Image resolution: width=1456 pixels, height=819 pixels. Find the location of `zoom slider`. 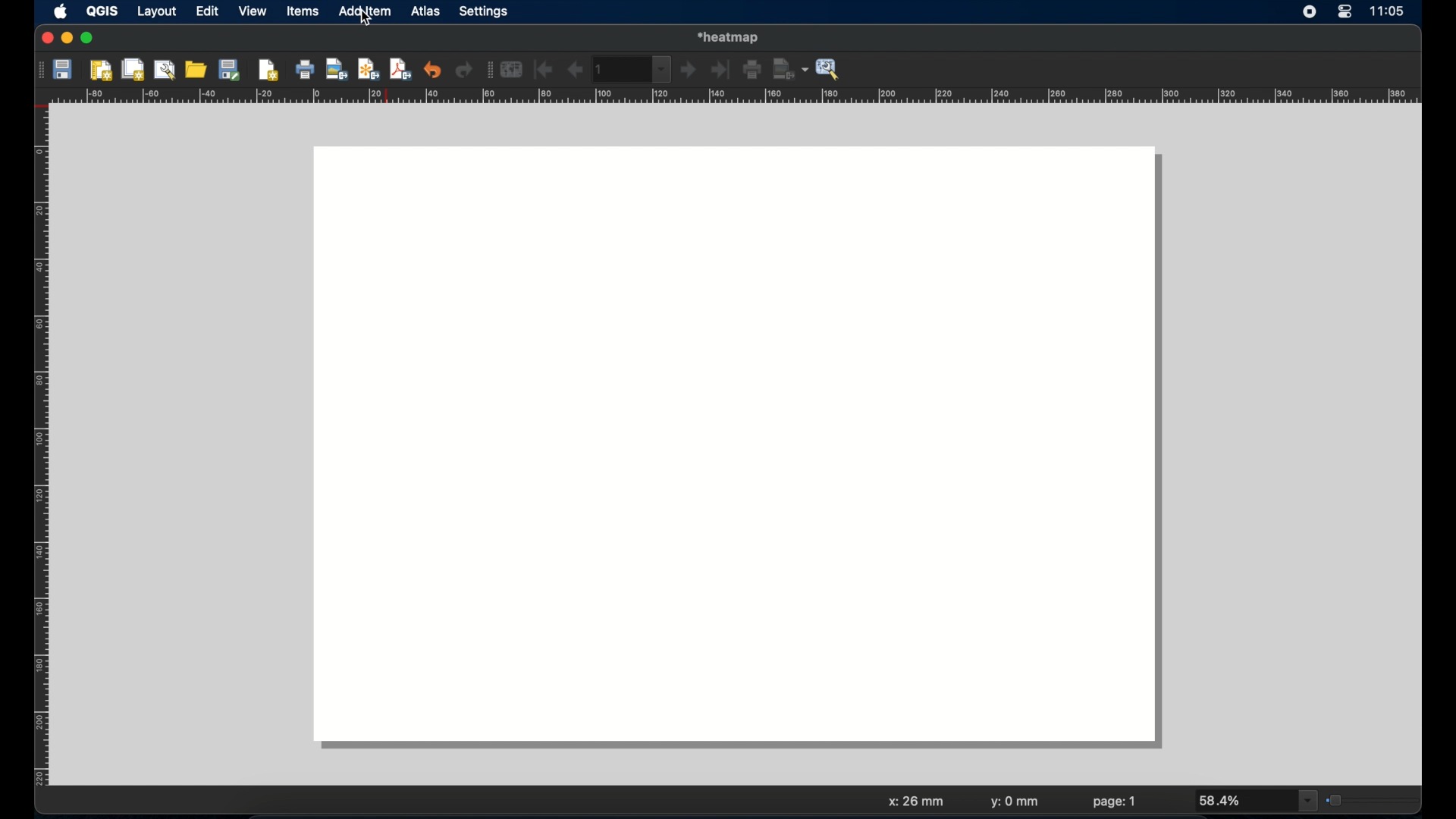

zoom slider is located at coordinates (1372, 799).